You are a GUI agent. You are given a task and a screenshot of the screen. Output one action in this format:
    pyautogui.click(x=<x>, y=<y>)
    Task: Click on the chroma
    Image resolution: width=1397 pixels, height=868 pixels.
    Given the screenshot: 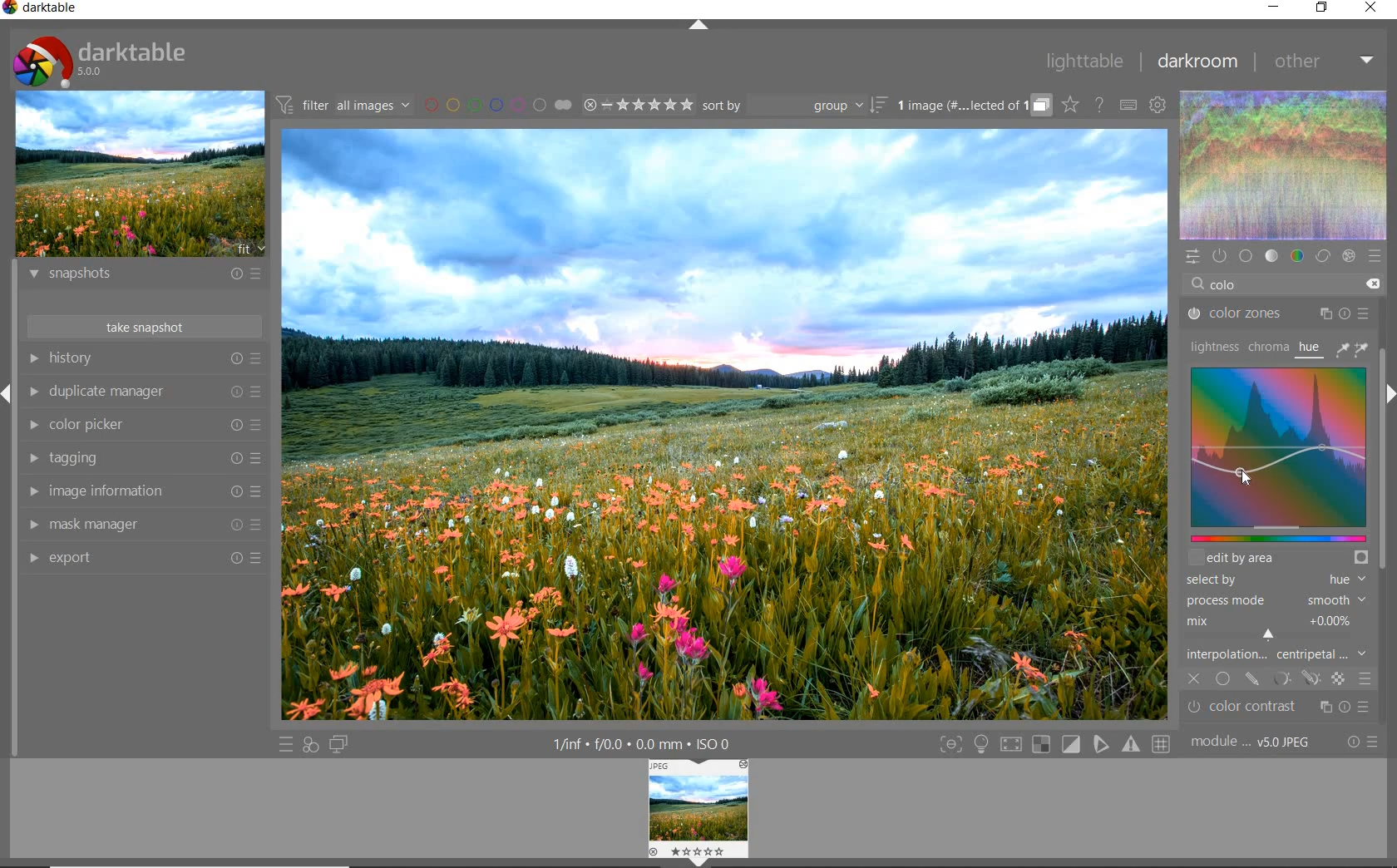 What is the action you would take?
    pyautogui.click(x=1268, y=347)
    